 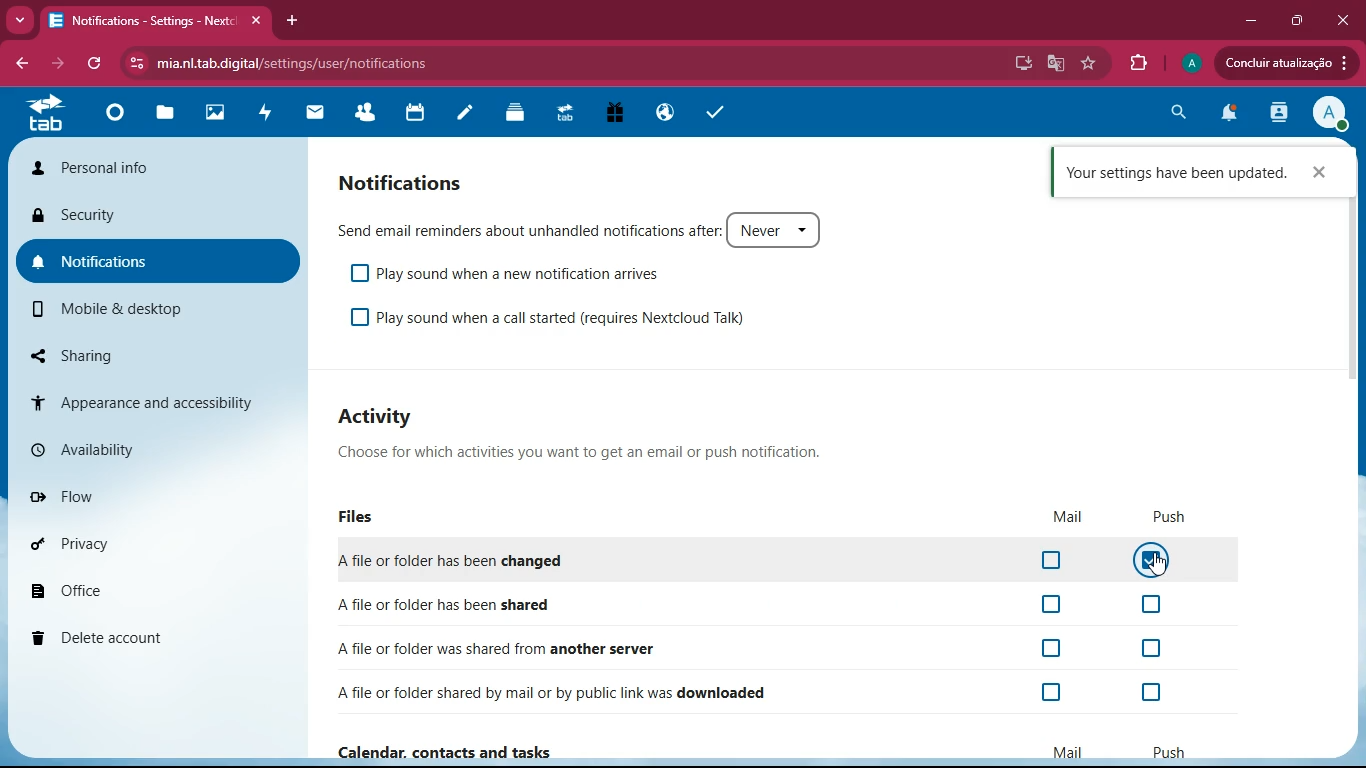 I want to click on off, so click(x=1044, y=606).